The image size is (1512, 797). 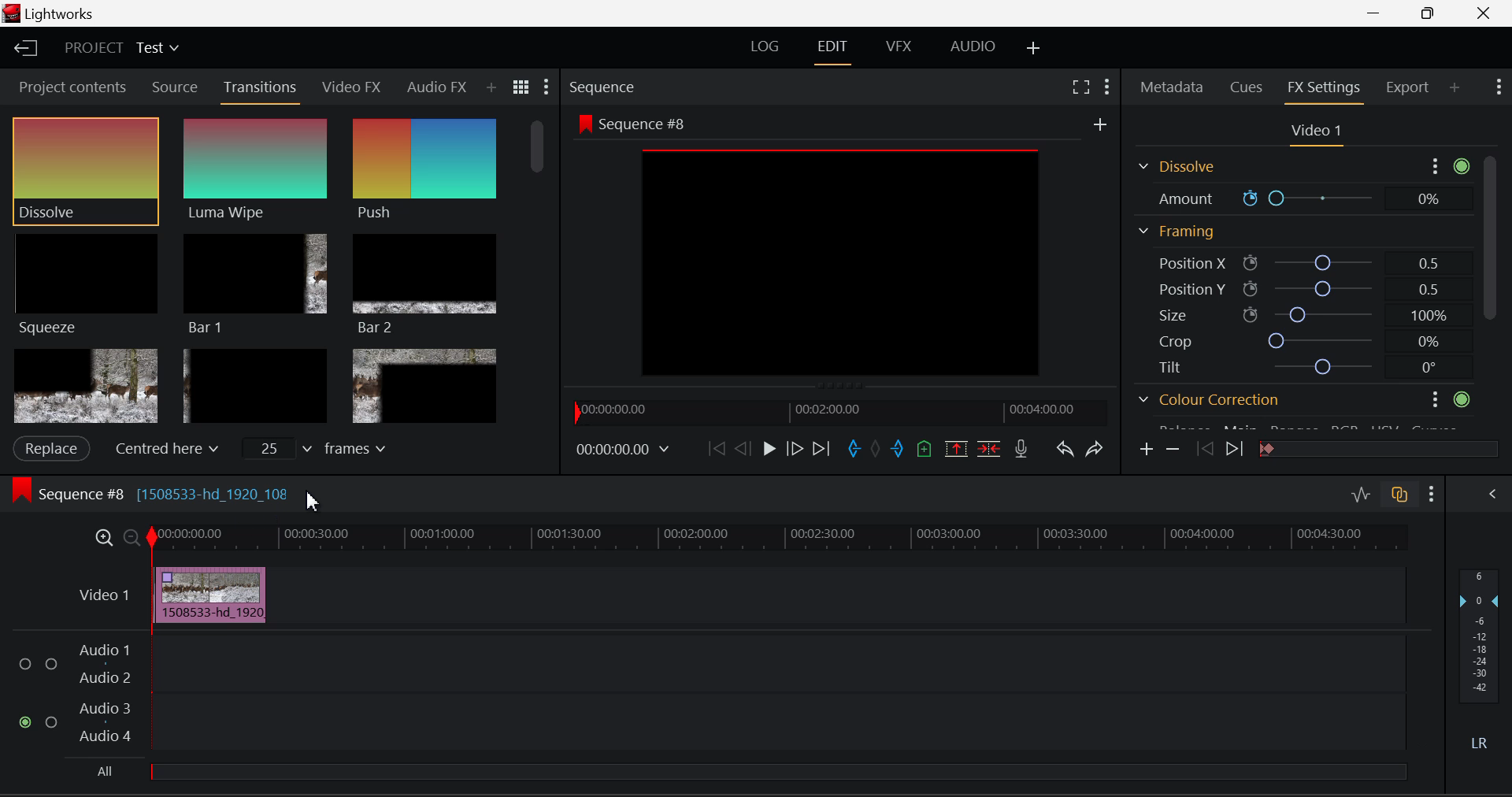 What do you see at coordinates (132, 539) in the screenshot?
I see `Timeline Zoom Out` at bounding box center [132, 539].